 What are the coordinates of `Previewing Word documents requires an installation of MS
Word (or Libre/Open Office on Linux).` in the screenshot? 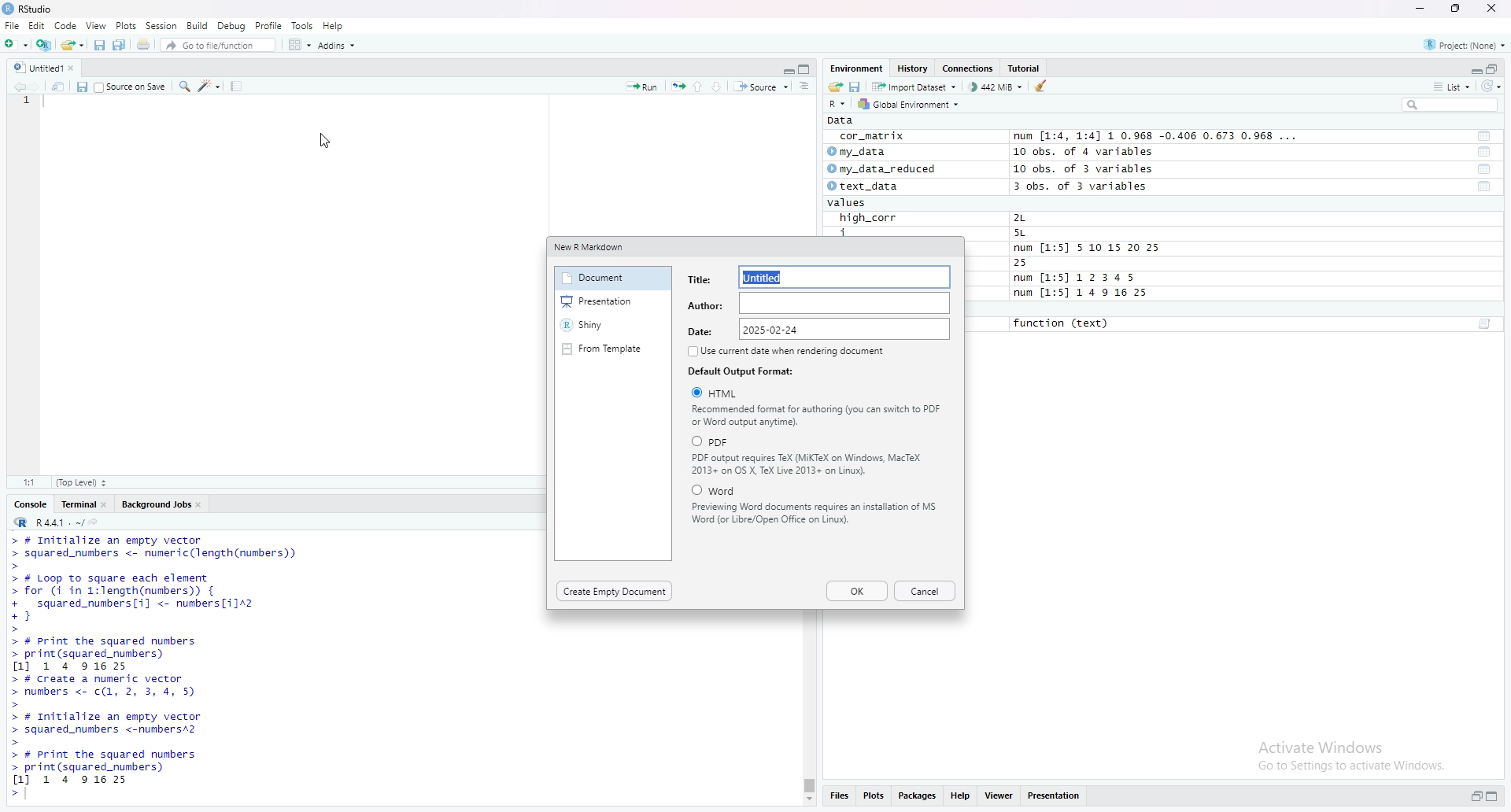 It's located at (814, 516).